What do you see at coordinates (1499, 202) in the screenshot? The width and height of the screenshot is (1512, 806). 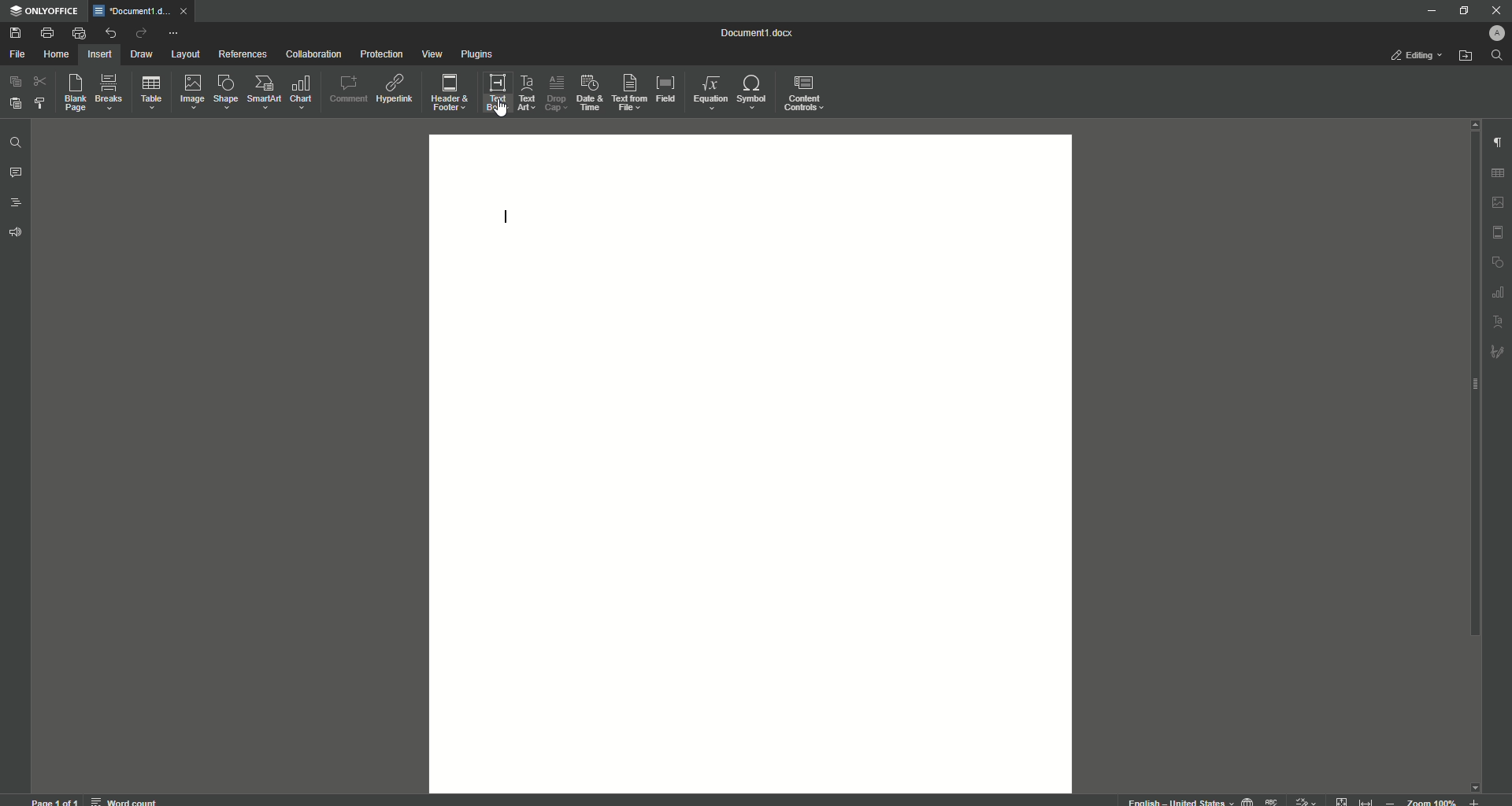 I see `image` at bounding box center [1499, 202].